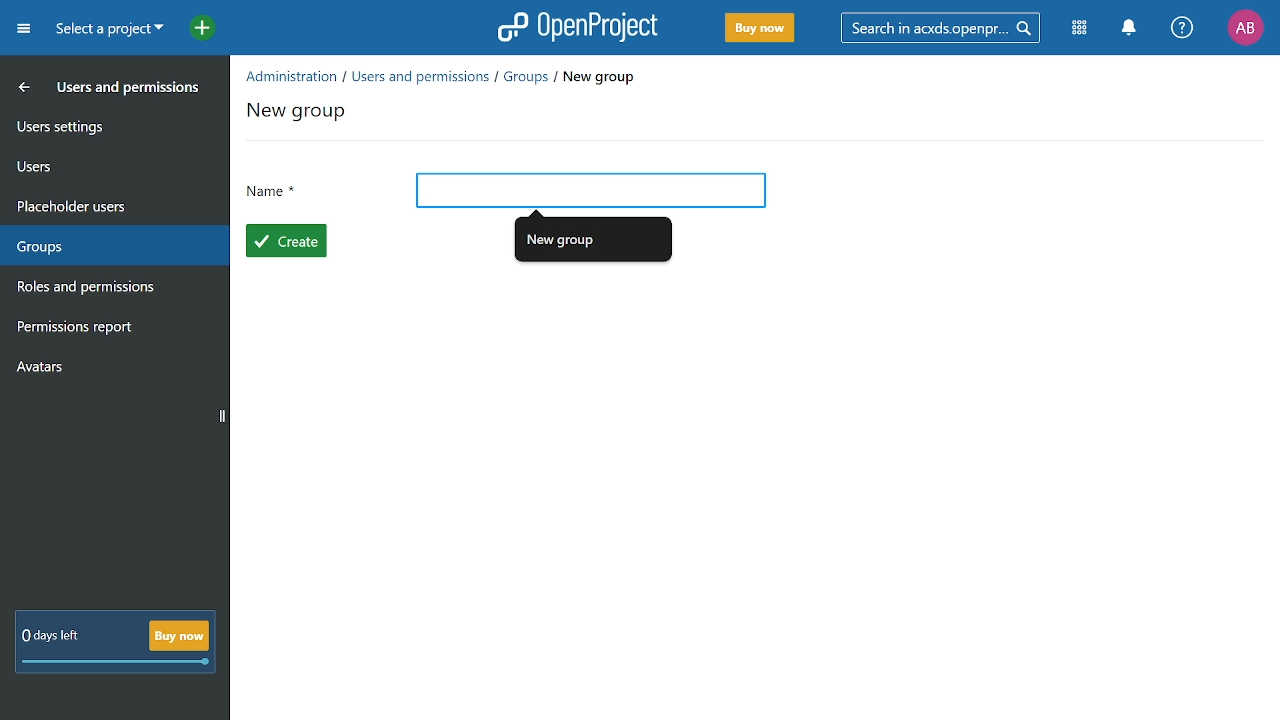  Describe the element at coordinates (1245, 29) in the screenshot. I see `current account "AB"` at that location.